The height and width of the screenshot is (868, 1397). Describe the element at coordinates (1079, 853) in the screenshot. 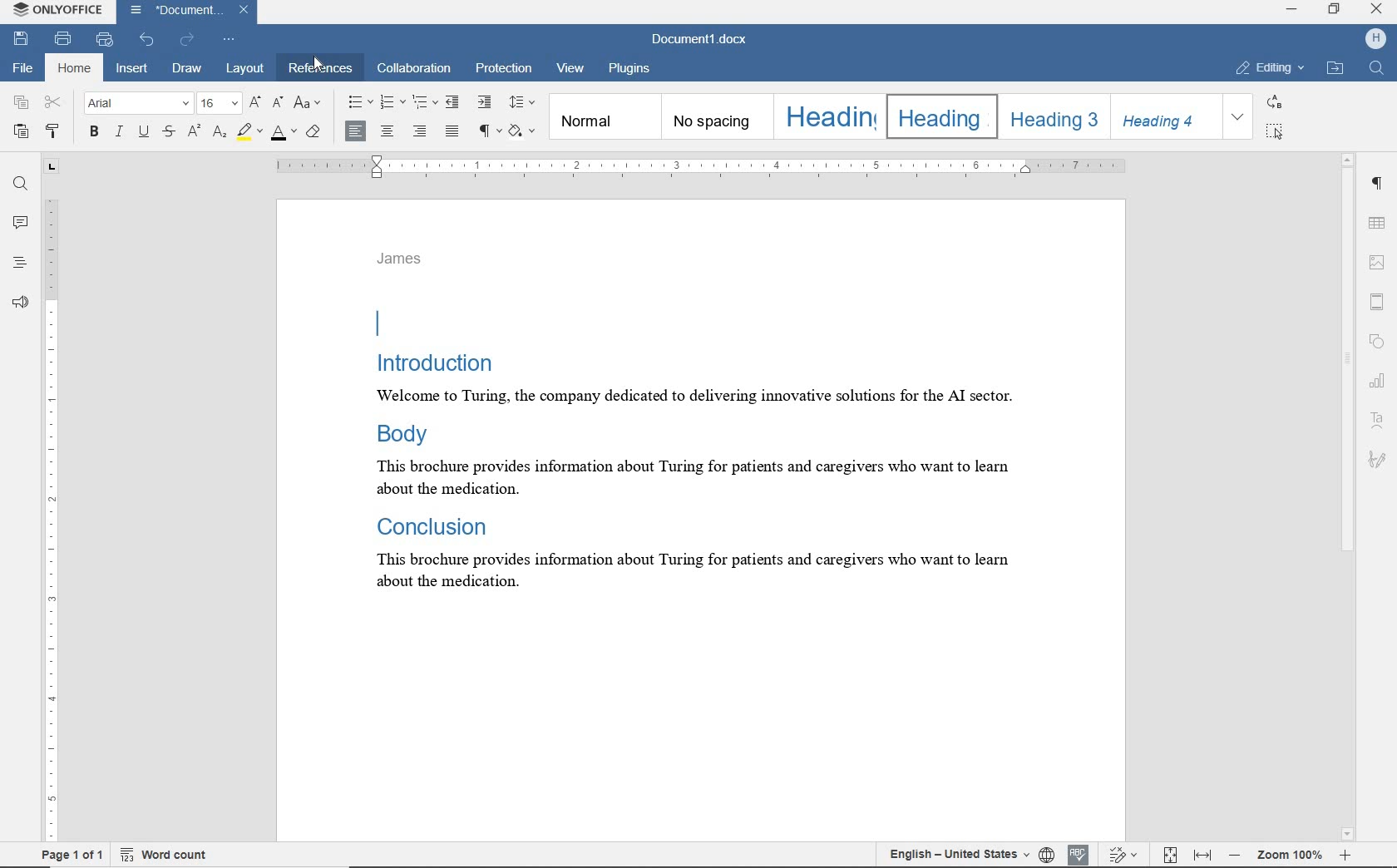

I see `spell check` at that location.